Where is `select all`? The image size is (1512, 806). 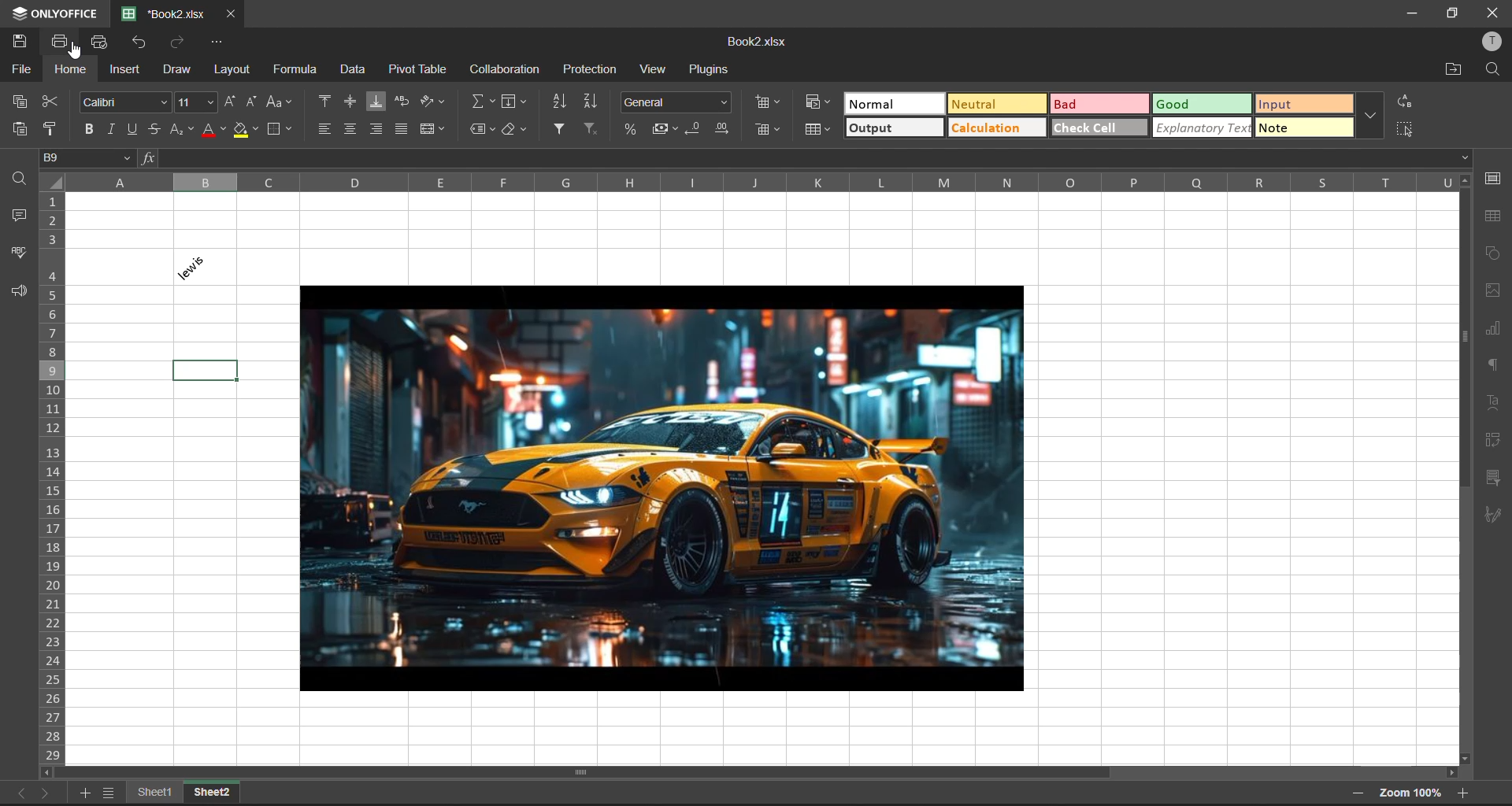 select all is located at coordinates (1406, 128).